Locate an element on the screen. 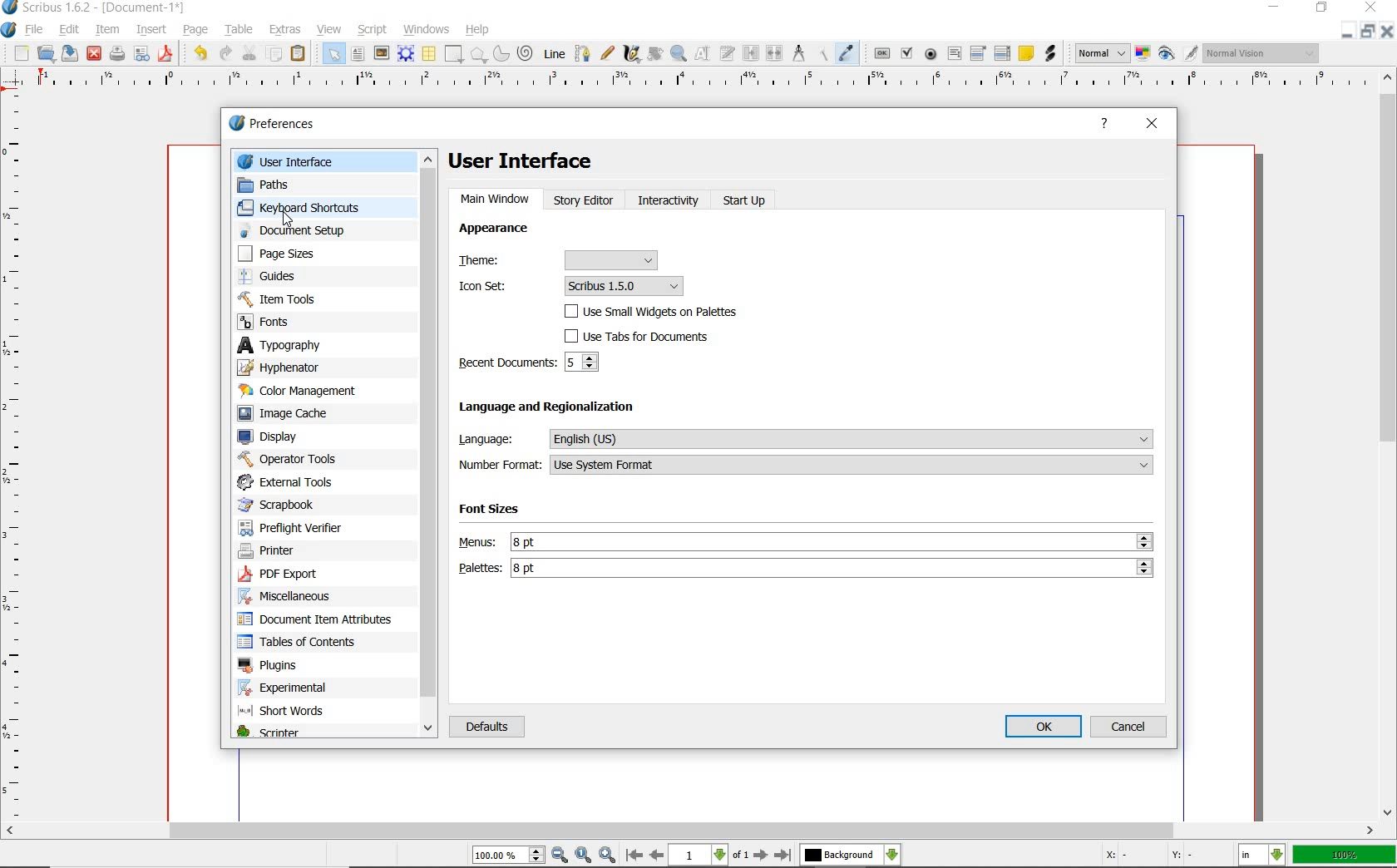  edit is located at coordinates (71, 29).